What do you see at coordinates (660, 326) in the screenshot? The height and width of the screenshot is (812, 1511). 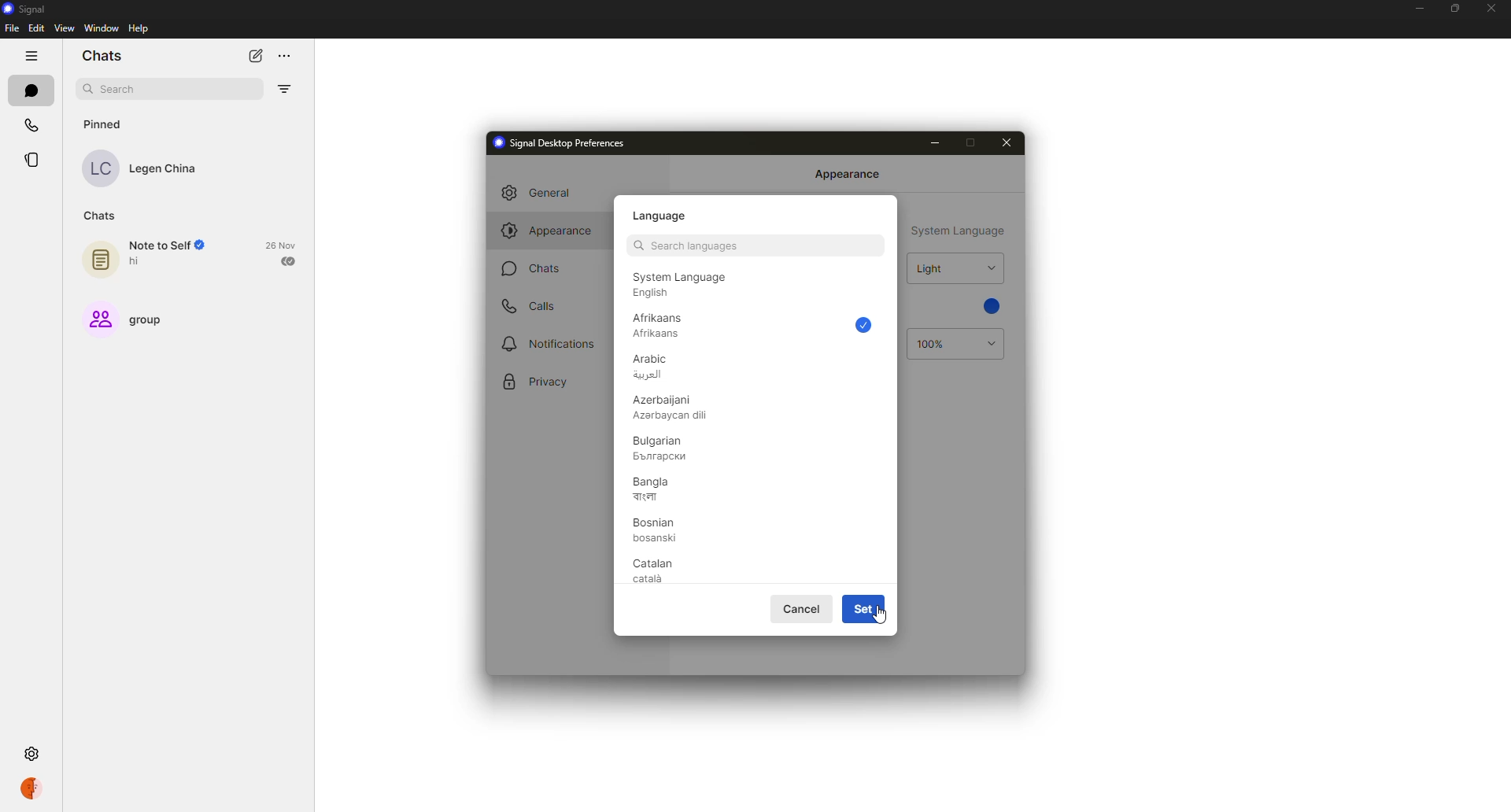 I see `afrikaans` at bounding box center [660, 326].